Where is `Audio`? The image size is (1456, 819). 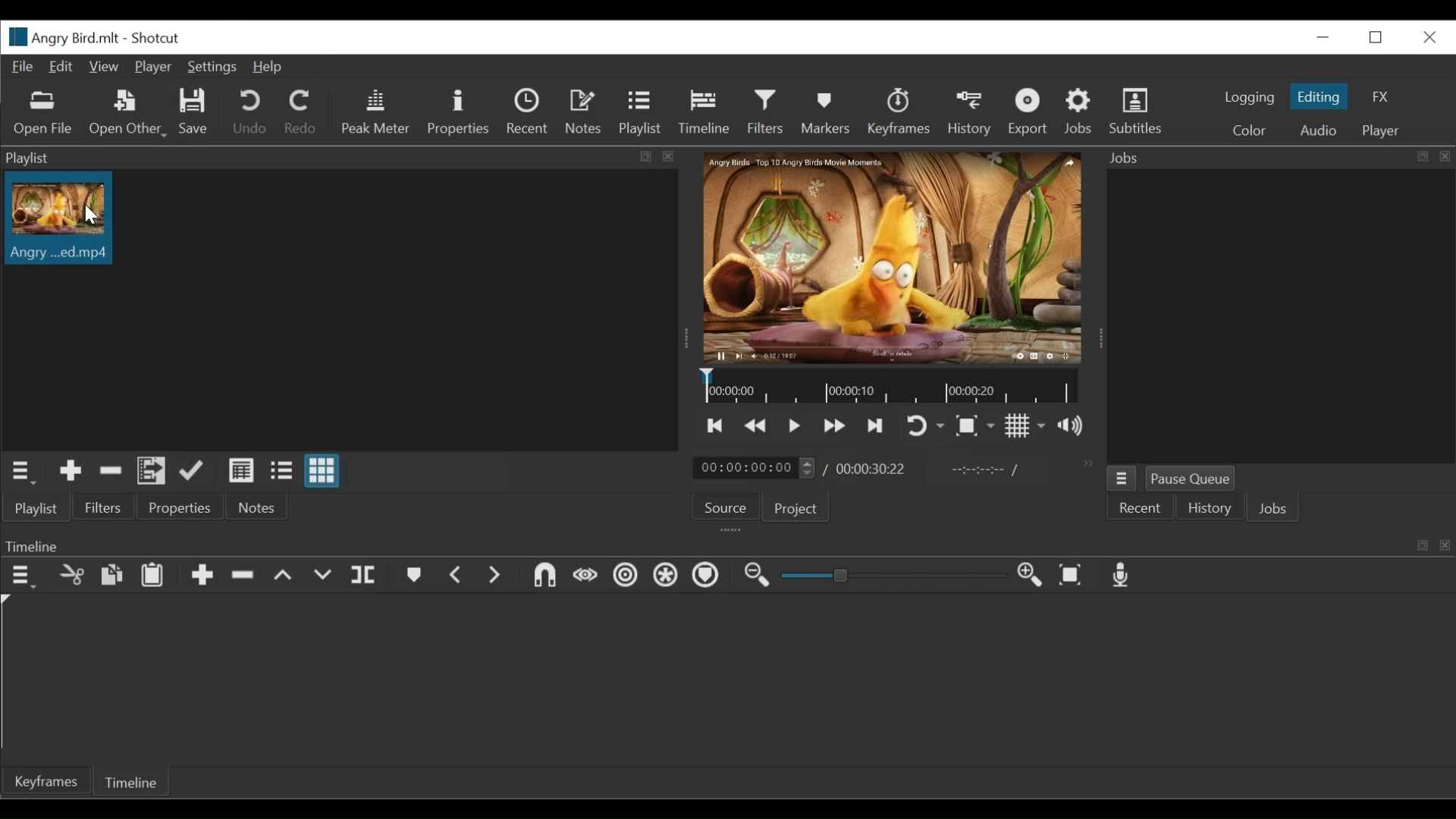 Audio is located at coordinates (1319, 129).